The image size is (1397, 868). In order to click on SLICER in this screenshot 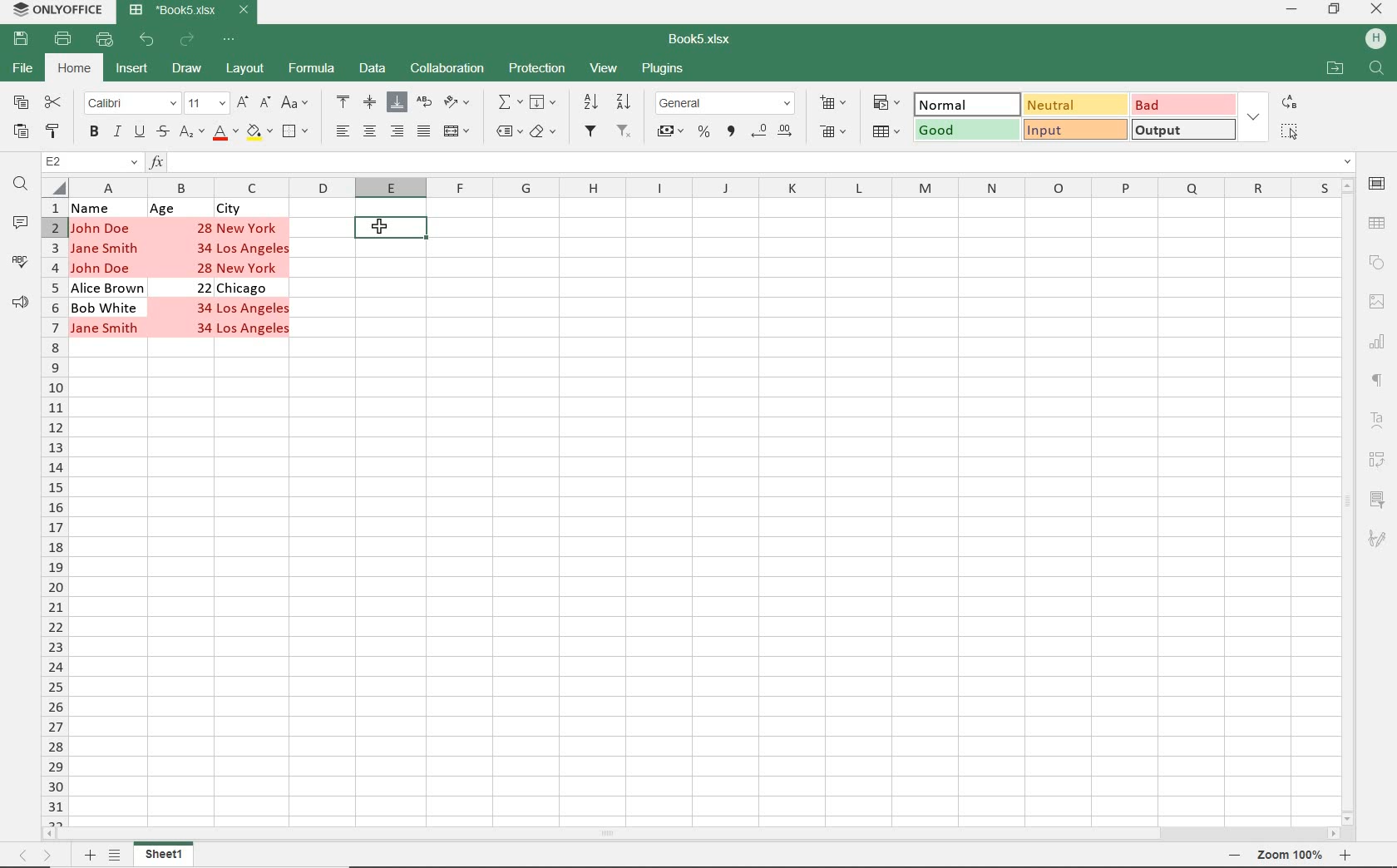, I will do `click(1379, 500)`.